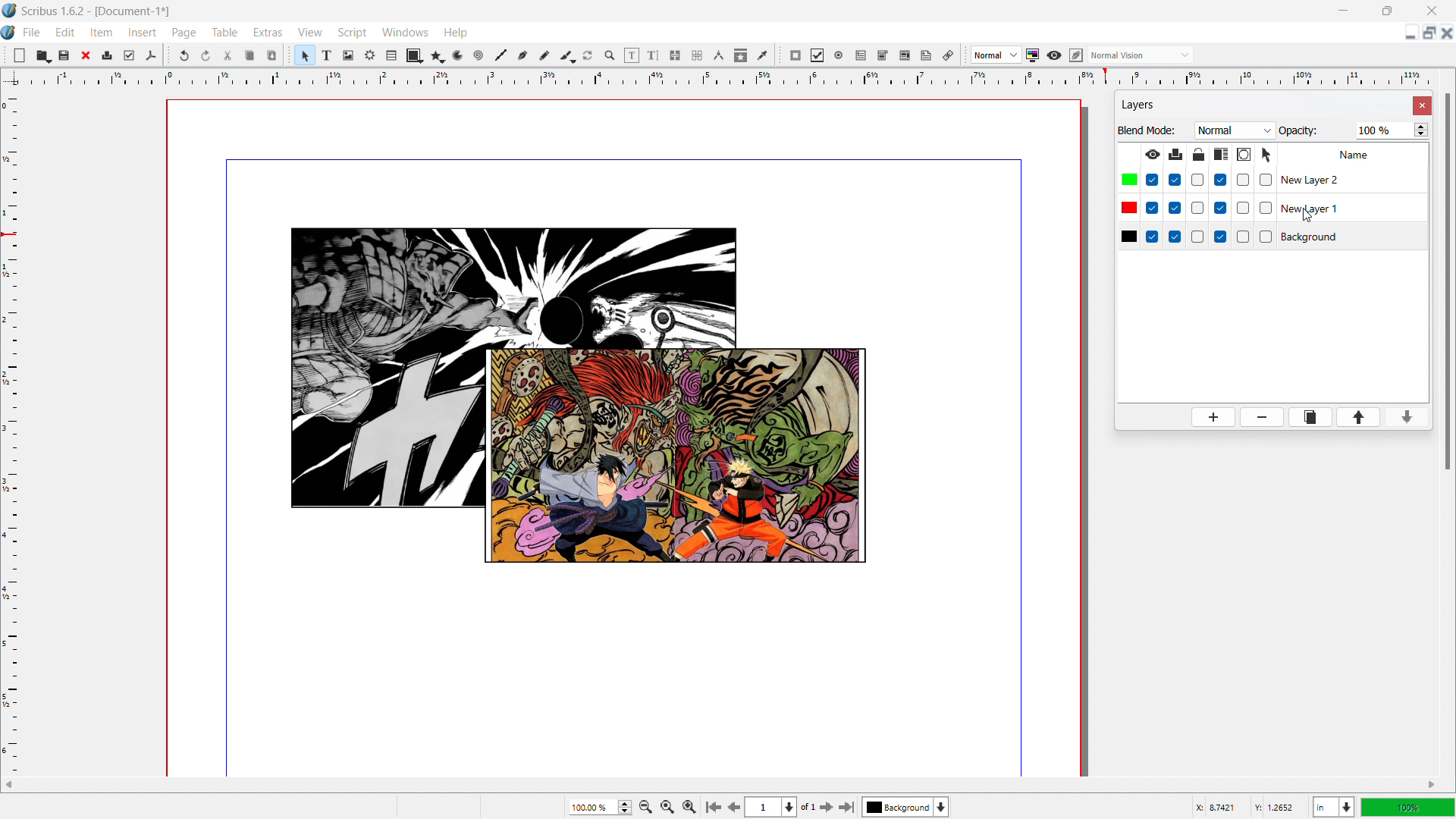 The width and height of the screenshot is (1456, 819). I want to click on render frame, so click(370, 55).